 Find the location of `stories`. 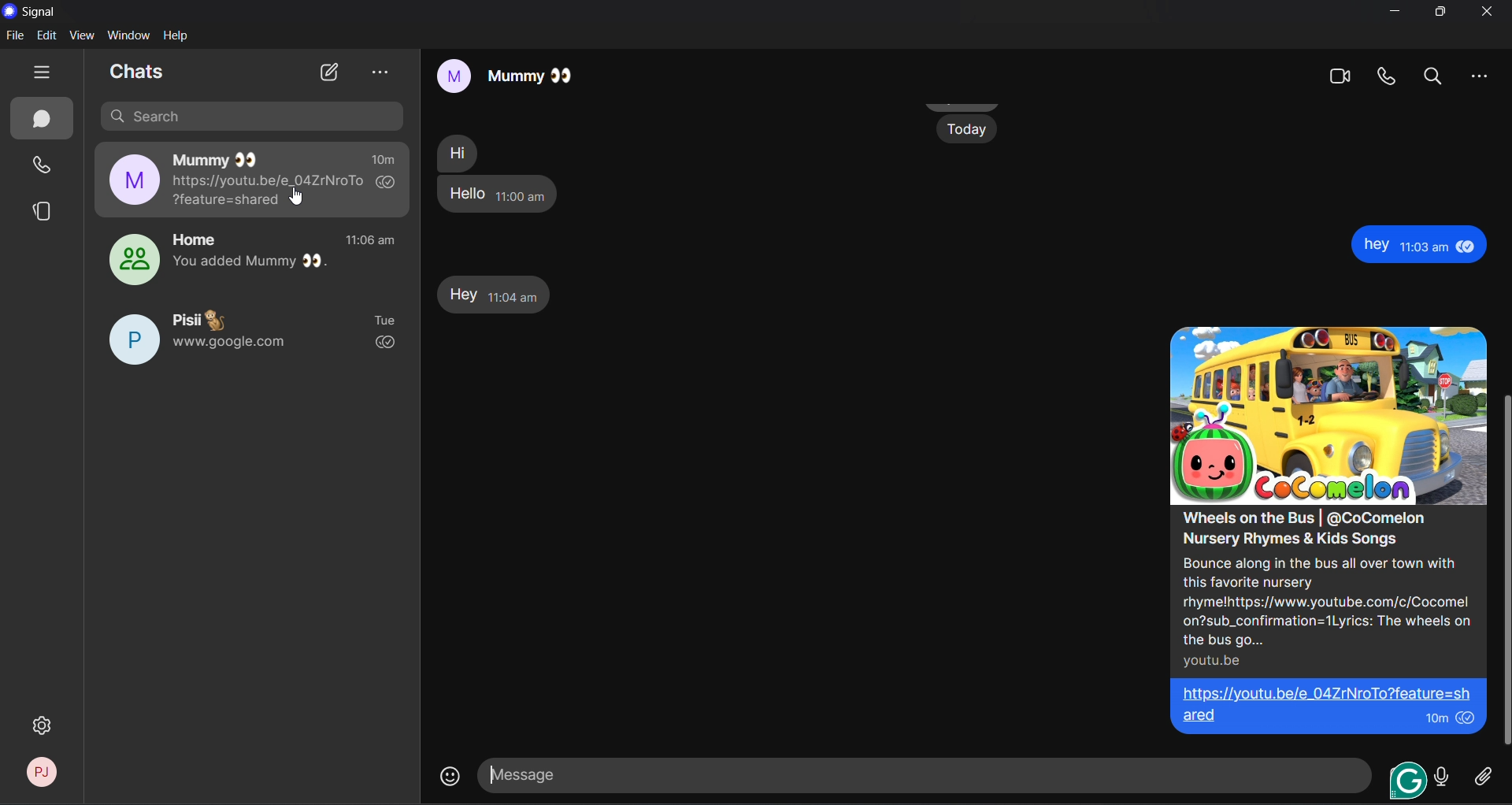

stories is located at coordinates (43, 209).